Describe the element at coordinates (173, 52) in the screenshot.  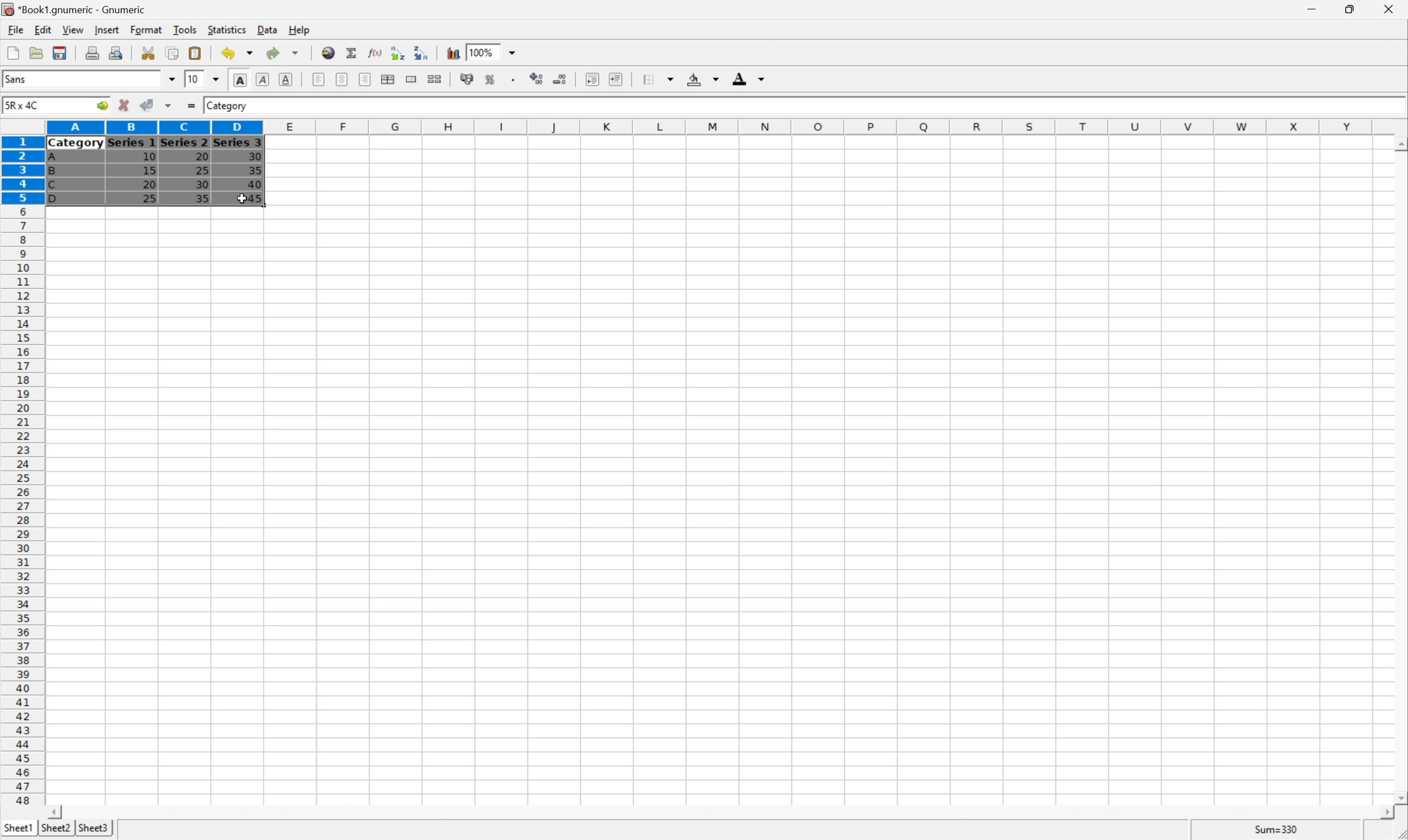
I see `Copy selection` at that location.